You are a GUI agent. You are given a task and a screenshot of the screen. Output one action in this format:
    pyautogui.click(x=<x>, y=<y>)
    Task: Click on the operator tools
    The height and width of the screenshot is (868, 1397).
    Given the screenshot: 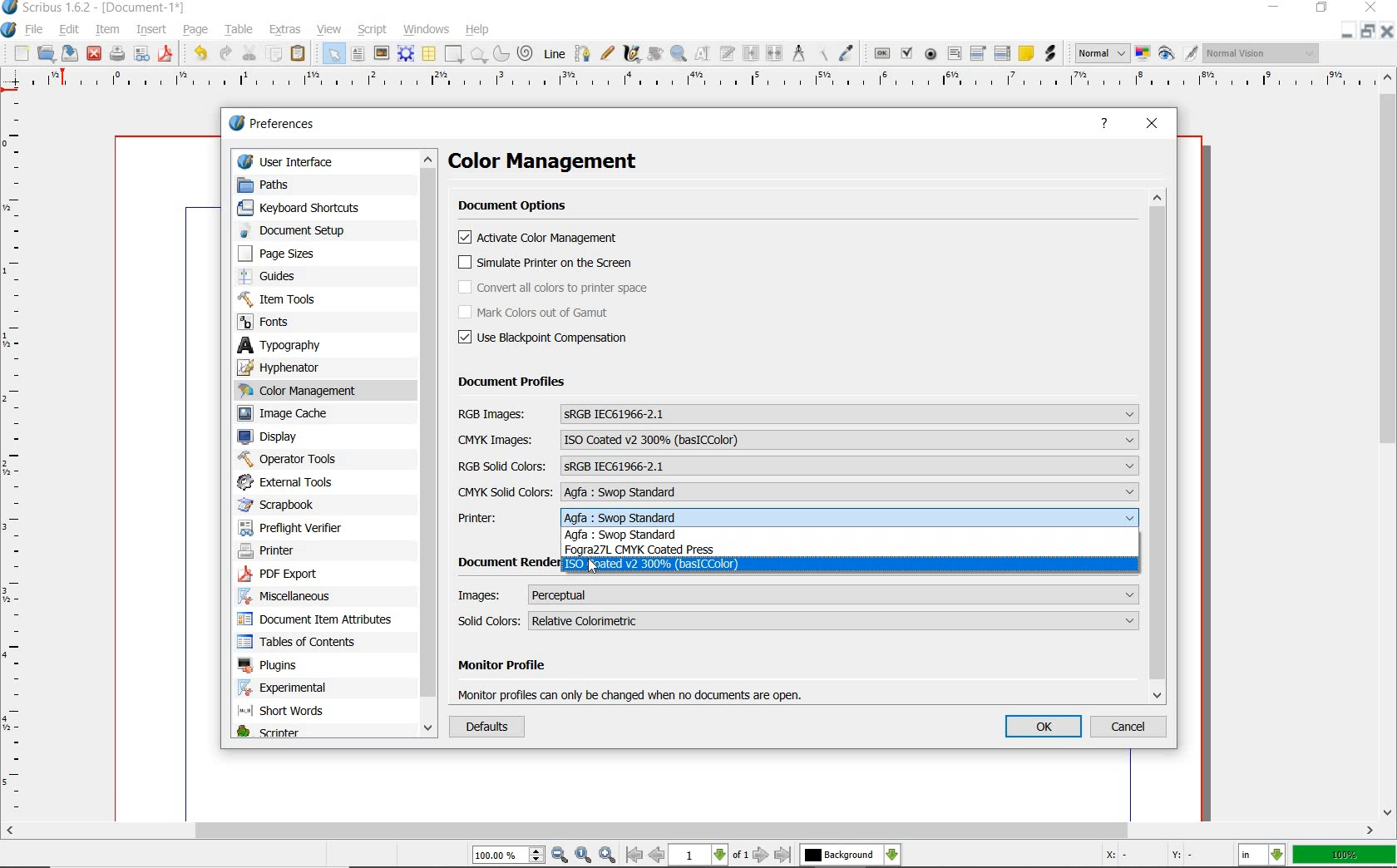 What is the action you would take?
    pyautogui.click(x=297, y=459)
    